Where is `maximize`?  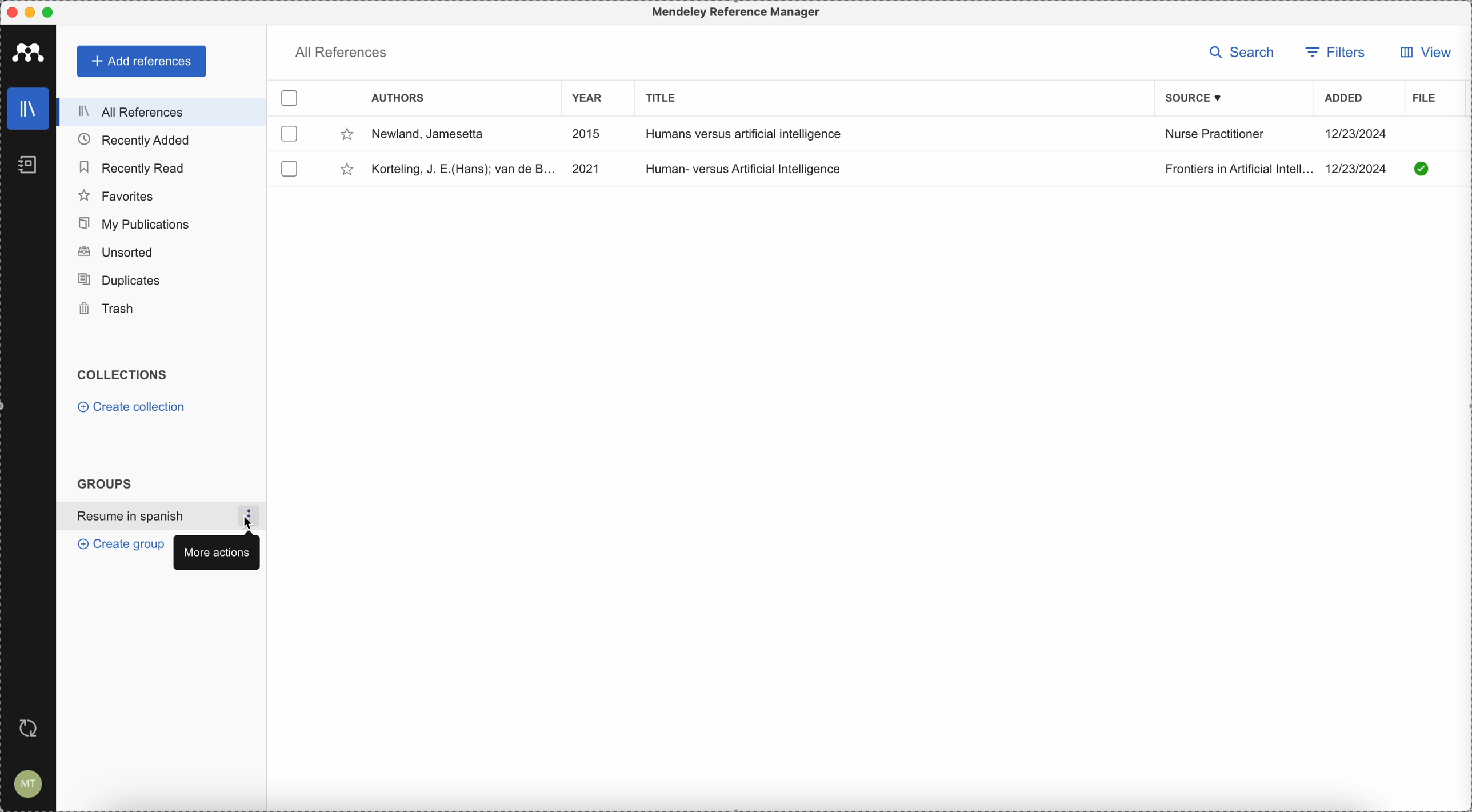 maximize is located at coordinates (53, 11).